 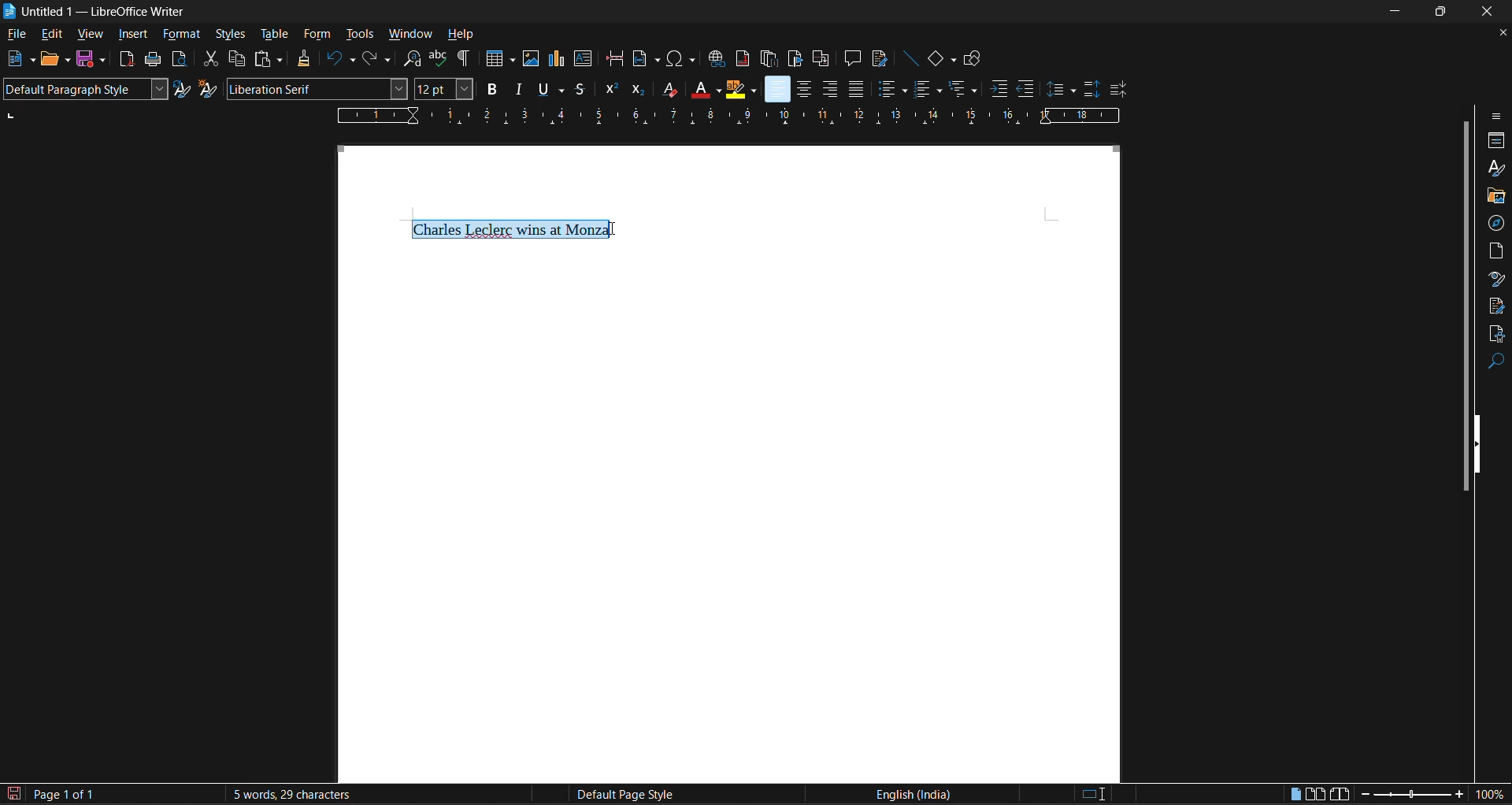 What do you see at coordinates (358, 35) in the screenshot?
I see `tools` at bounding box center [358, 35].